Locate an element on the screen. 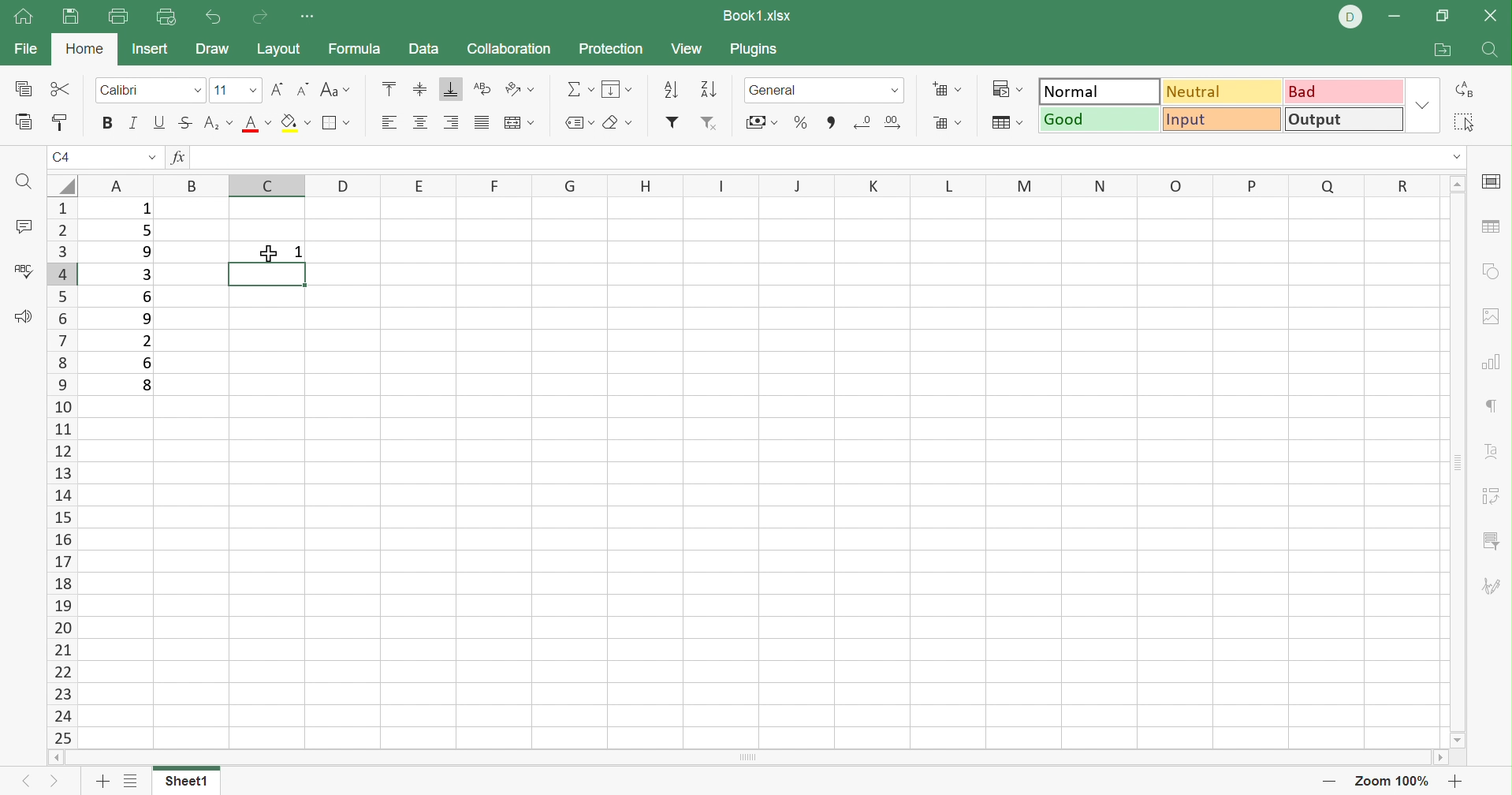  Percent style is located at coordinates (799, 121).